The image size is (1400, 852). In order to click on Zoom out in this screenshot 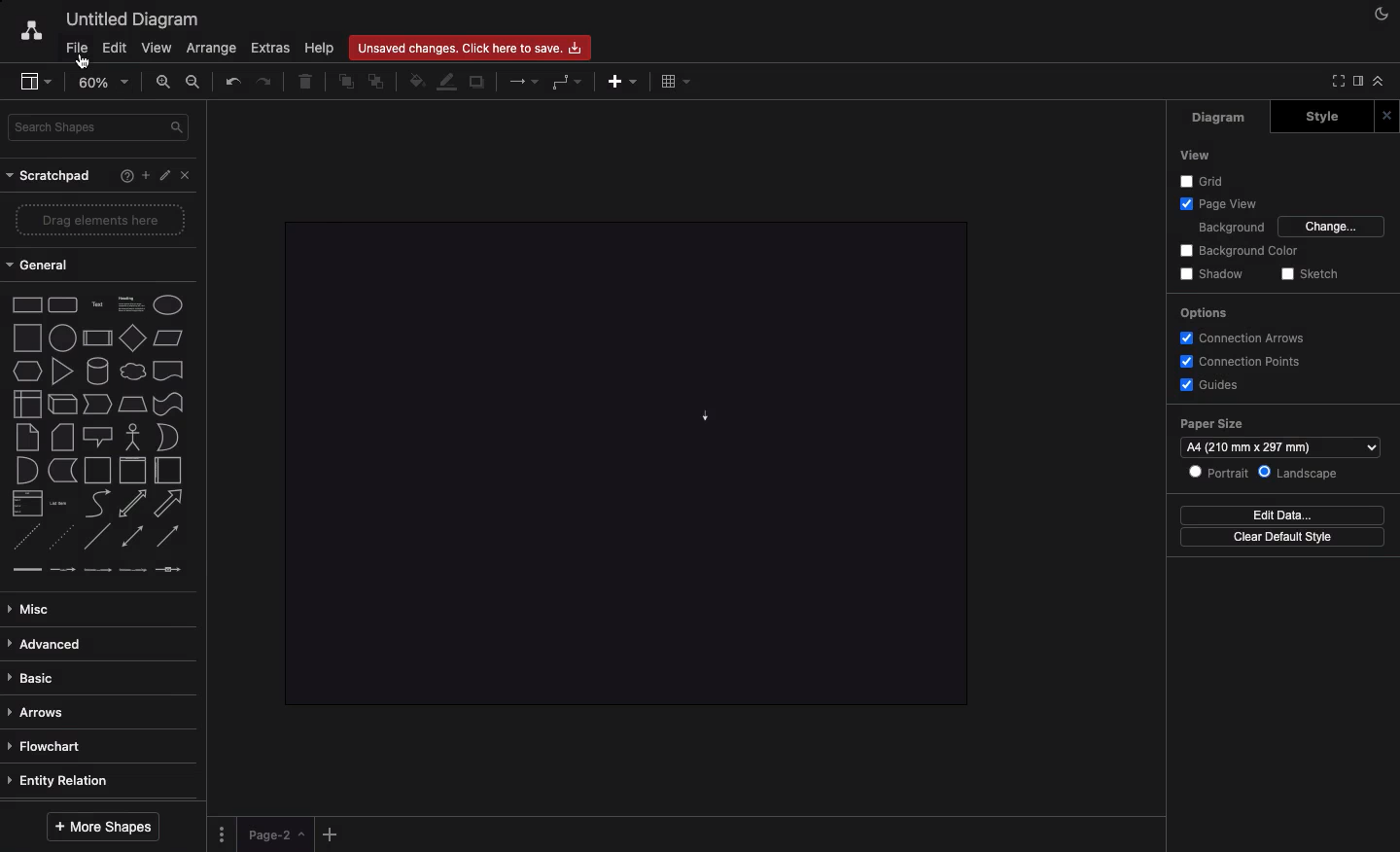, I will do `click(195, 81)`.